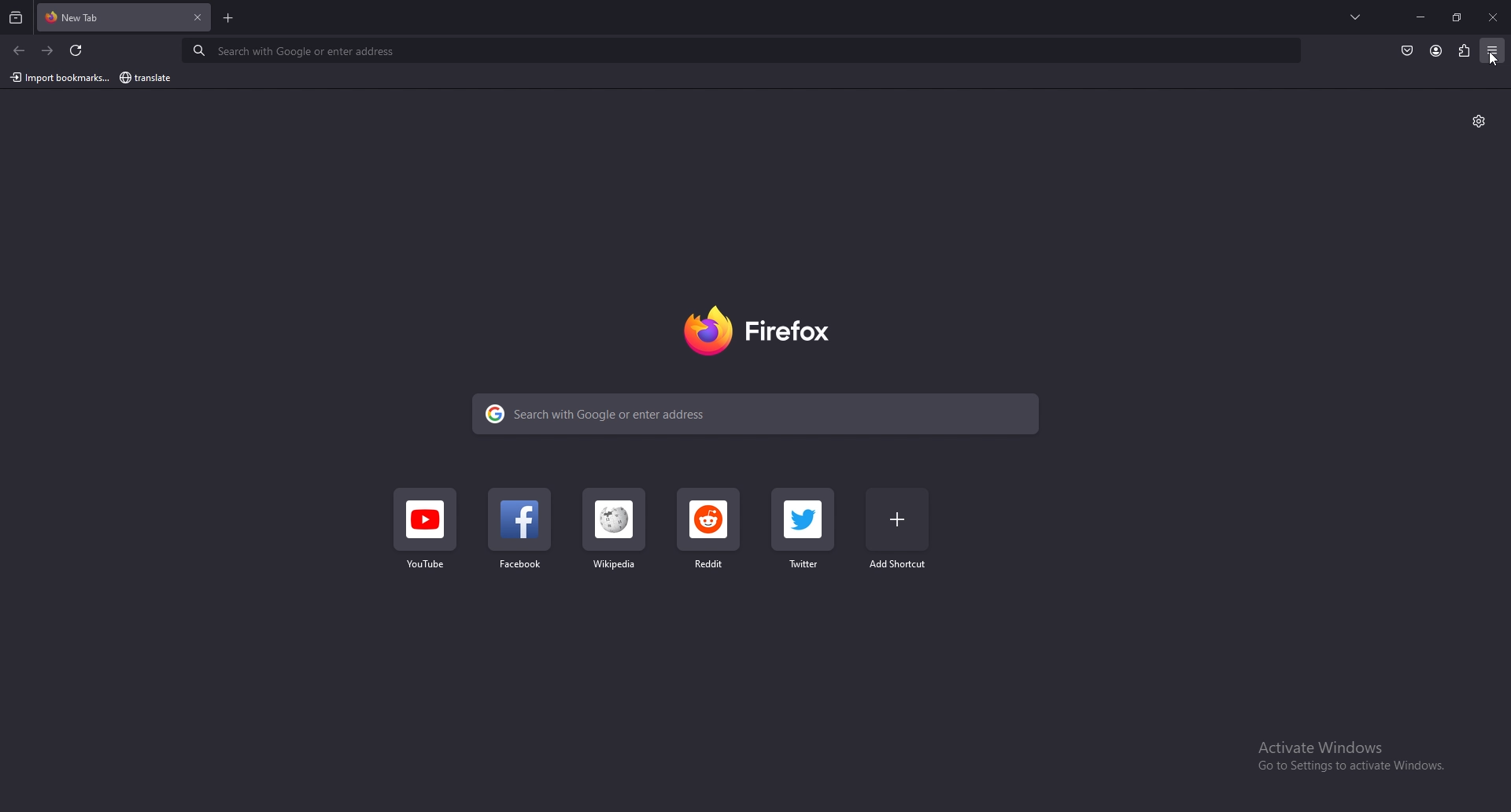 The height and width of the screenshot is (812, 1511). I want to click on search bar, so click(749, 50).